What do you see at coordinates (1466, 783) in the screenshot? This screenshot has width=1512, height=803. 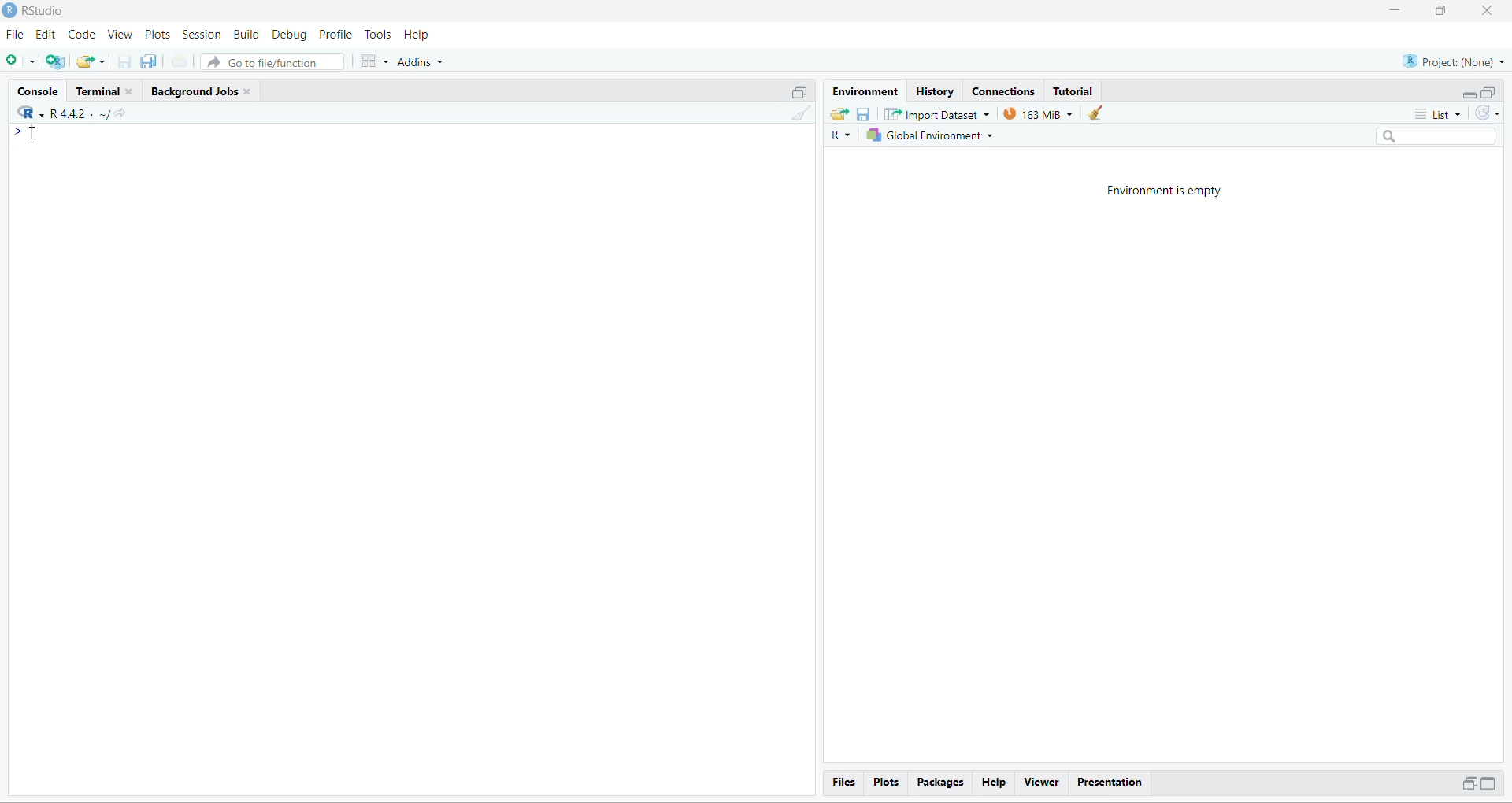 I see `minimize` at bounding box center [1466, 783].